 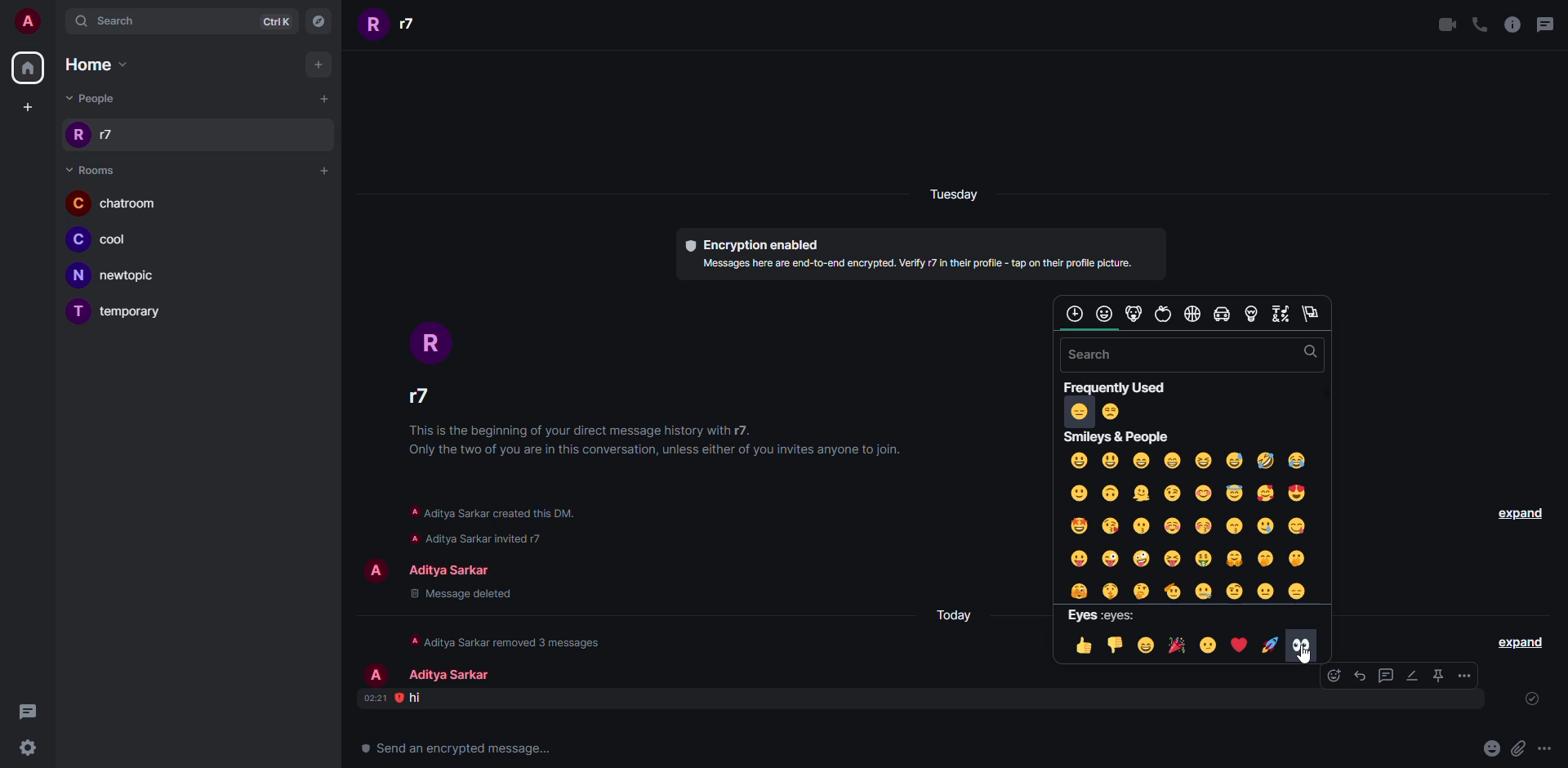 I want to click on room, so click(x=133, y=313).